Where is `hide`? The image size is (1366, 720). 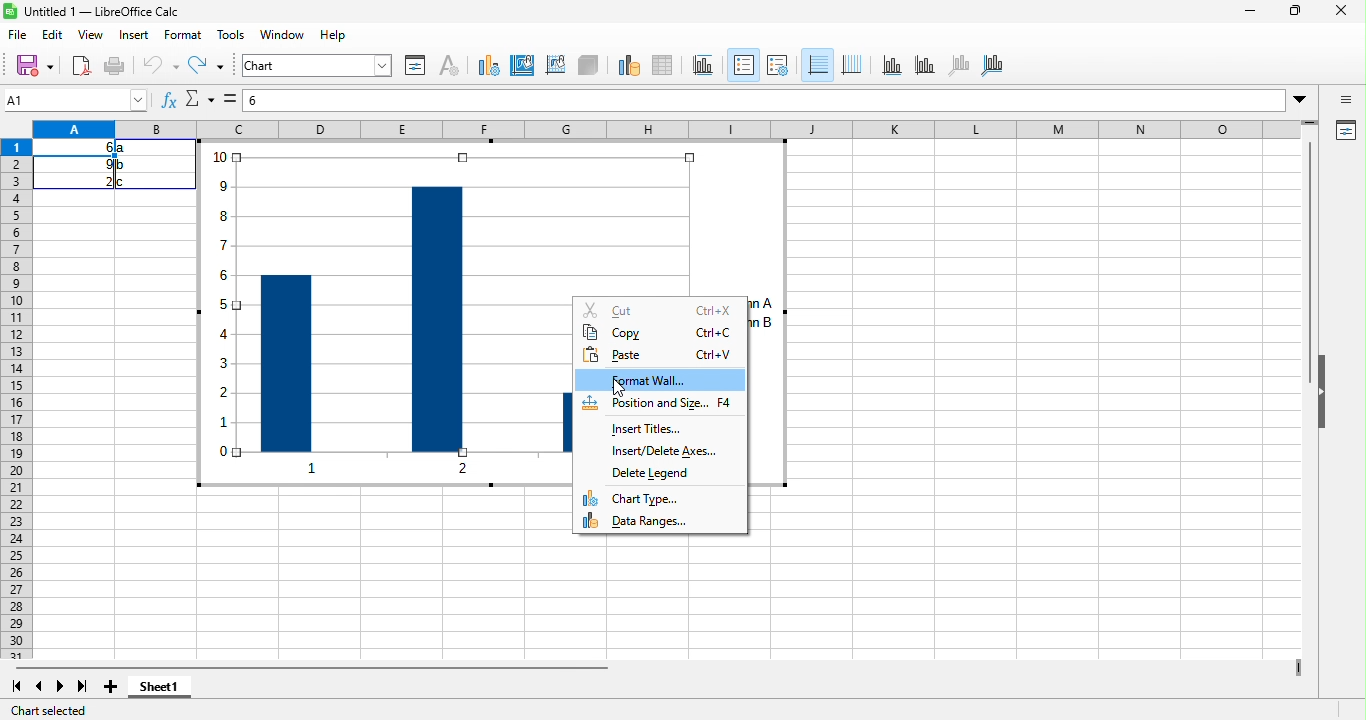 hide is located at coordinates (1327, 417).